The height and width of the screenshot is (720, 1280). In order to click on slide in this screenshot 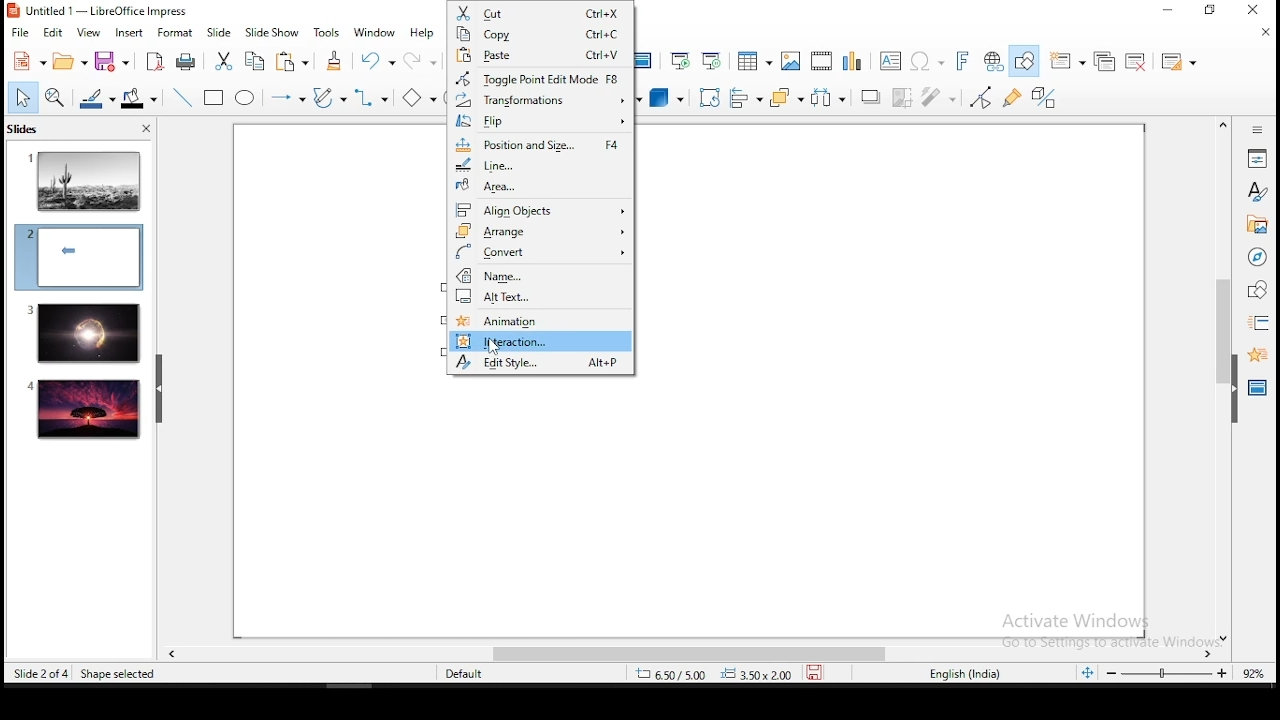, I will do `click(220, 33)`.